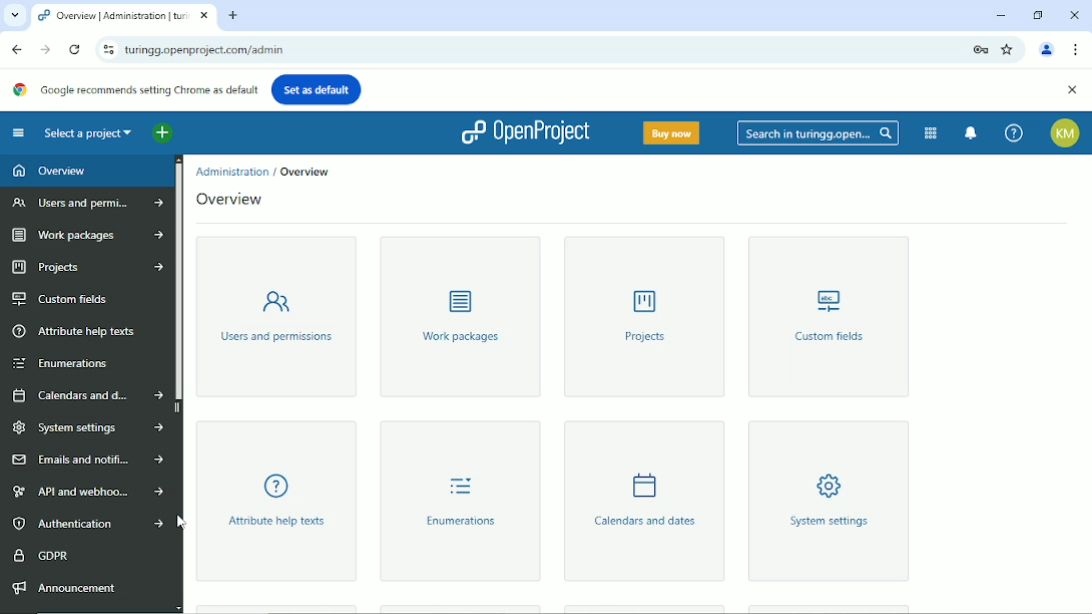 The height and width of the screenshot is (614, 1092). I want to click on close current window, so click(204, 16).